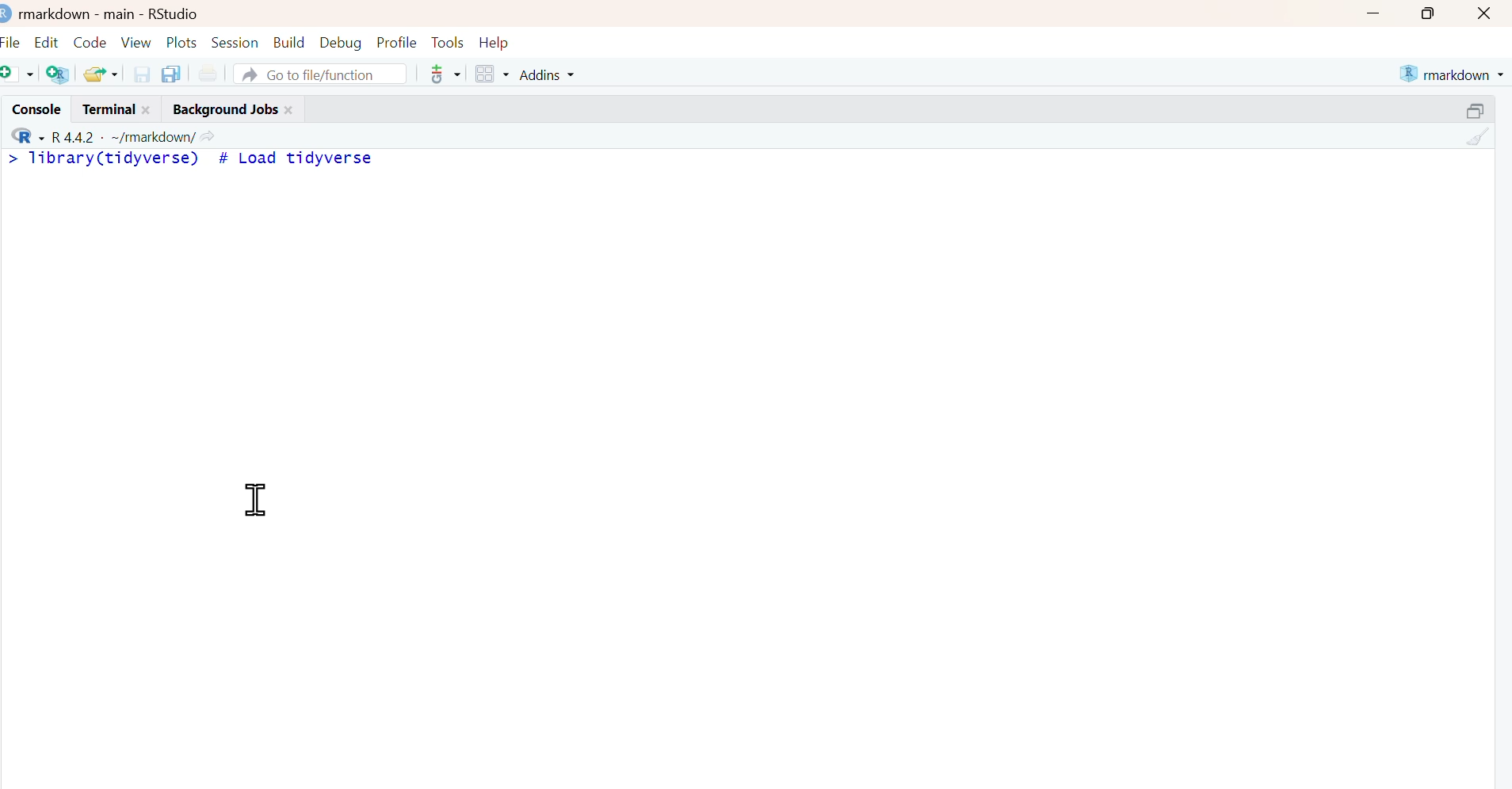 The width and height of the screenshot is (1512, 789). I want to click on Print current file, so click(208, 73).